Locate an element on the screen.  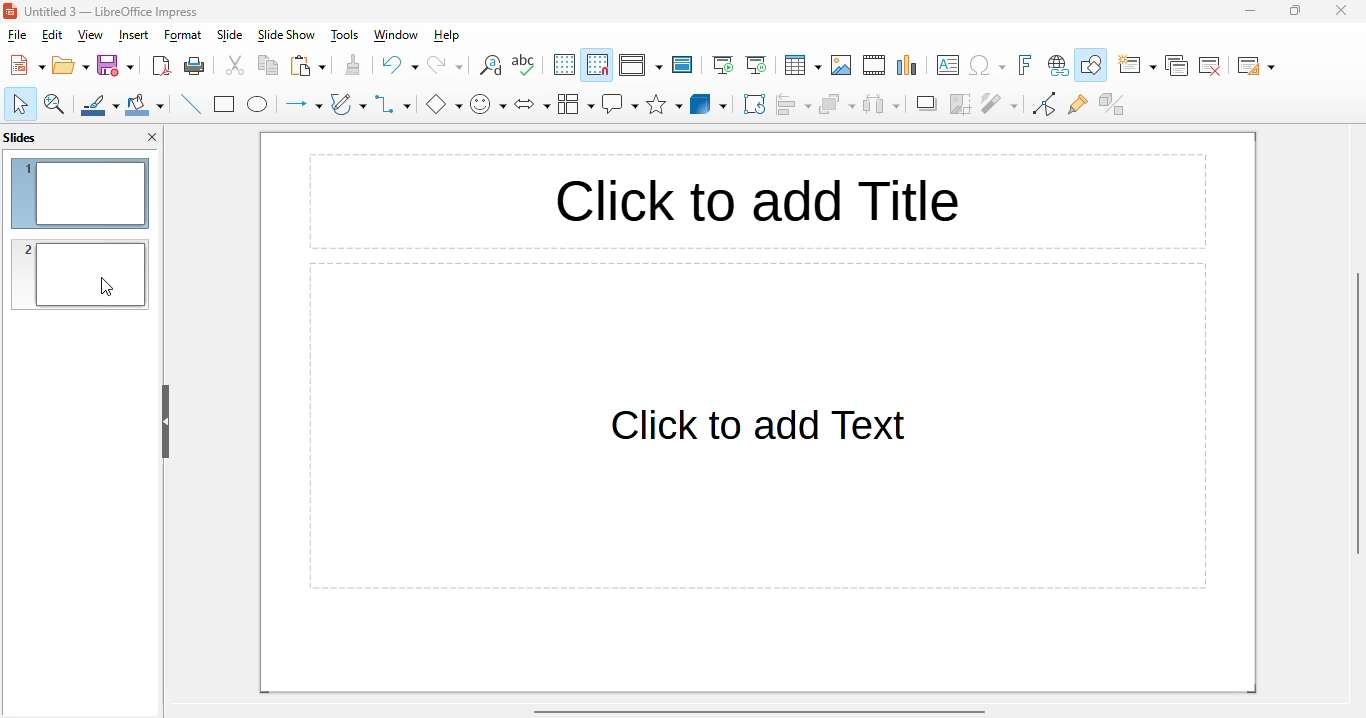
filter is located at coordinates (999, 103).